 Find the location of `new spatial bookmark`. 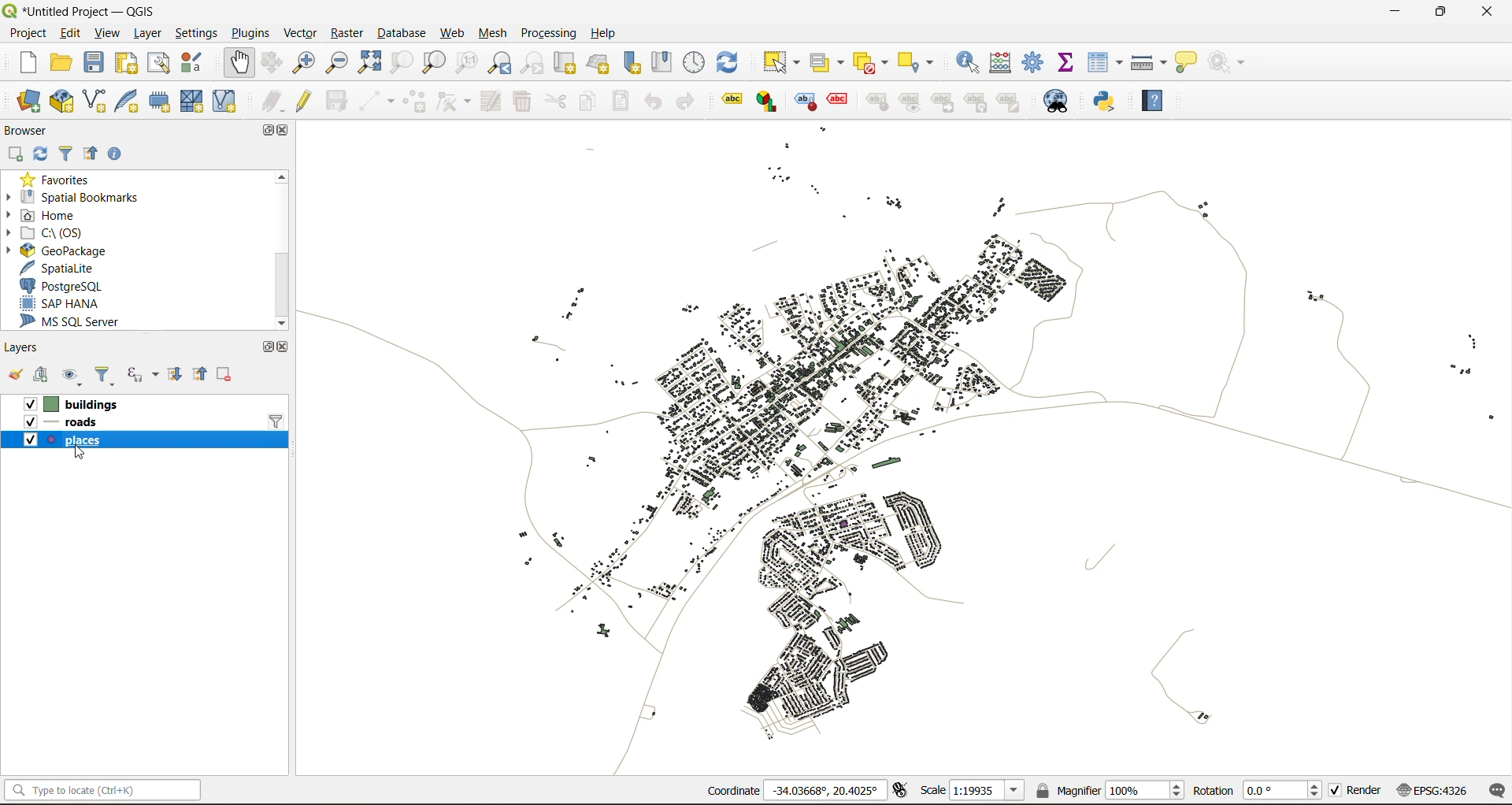

new spatial bookmark is located at coordinates (637, 63).